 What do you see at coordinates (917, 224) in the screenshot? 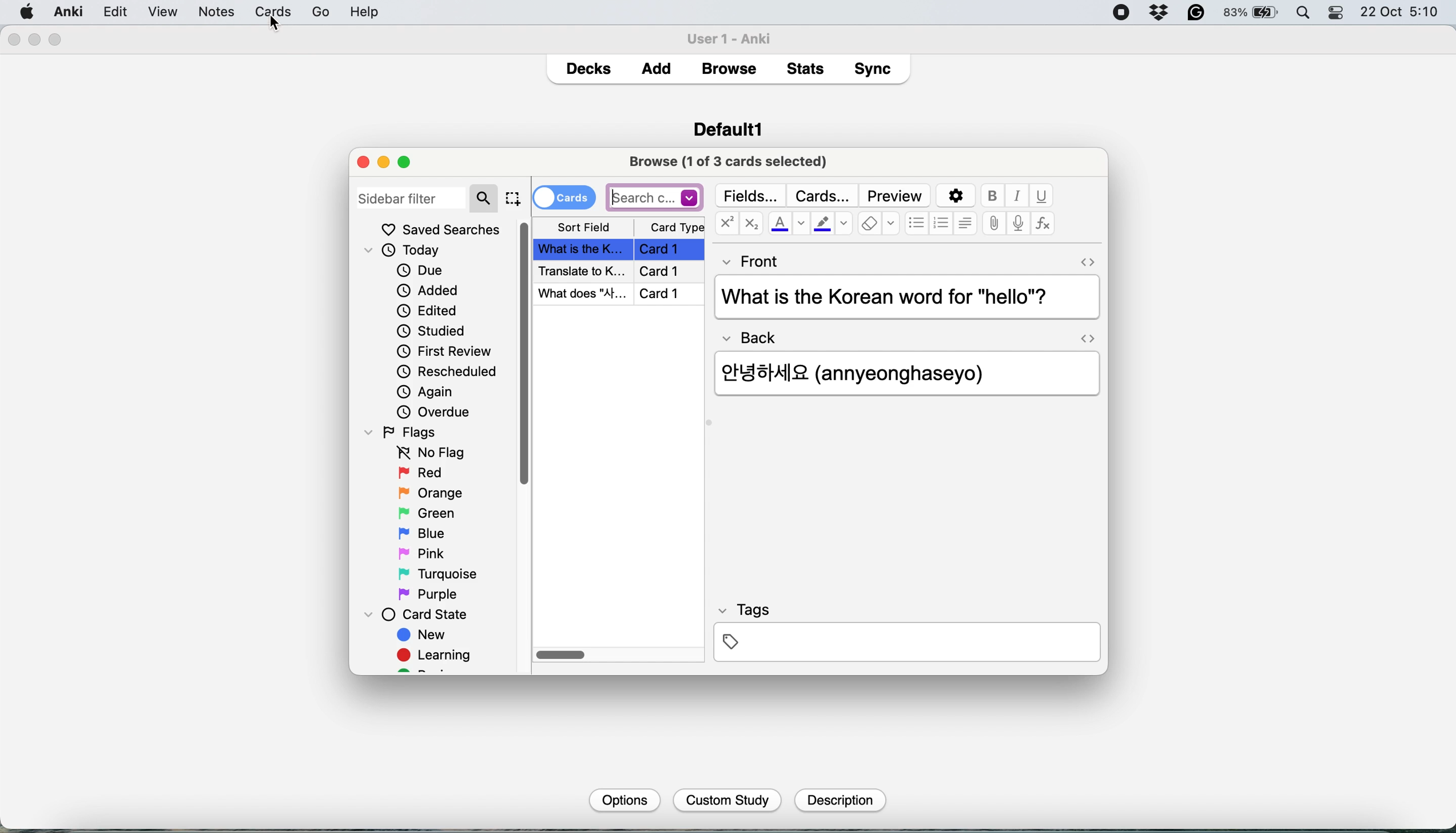
I see `bullet list` at bounding box center [917, 224].